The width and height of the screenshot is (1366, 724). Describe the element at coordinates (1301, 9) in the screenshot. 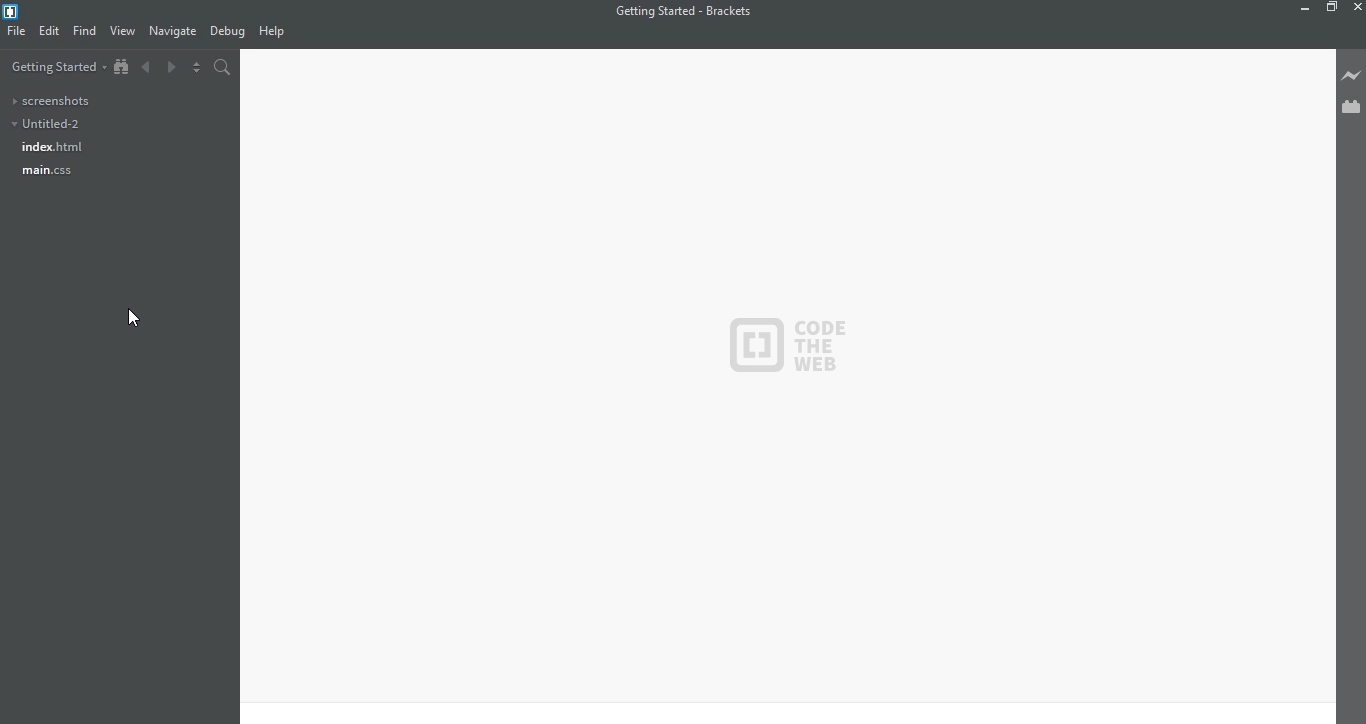

I see `minimize` at that location.